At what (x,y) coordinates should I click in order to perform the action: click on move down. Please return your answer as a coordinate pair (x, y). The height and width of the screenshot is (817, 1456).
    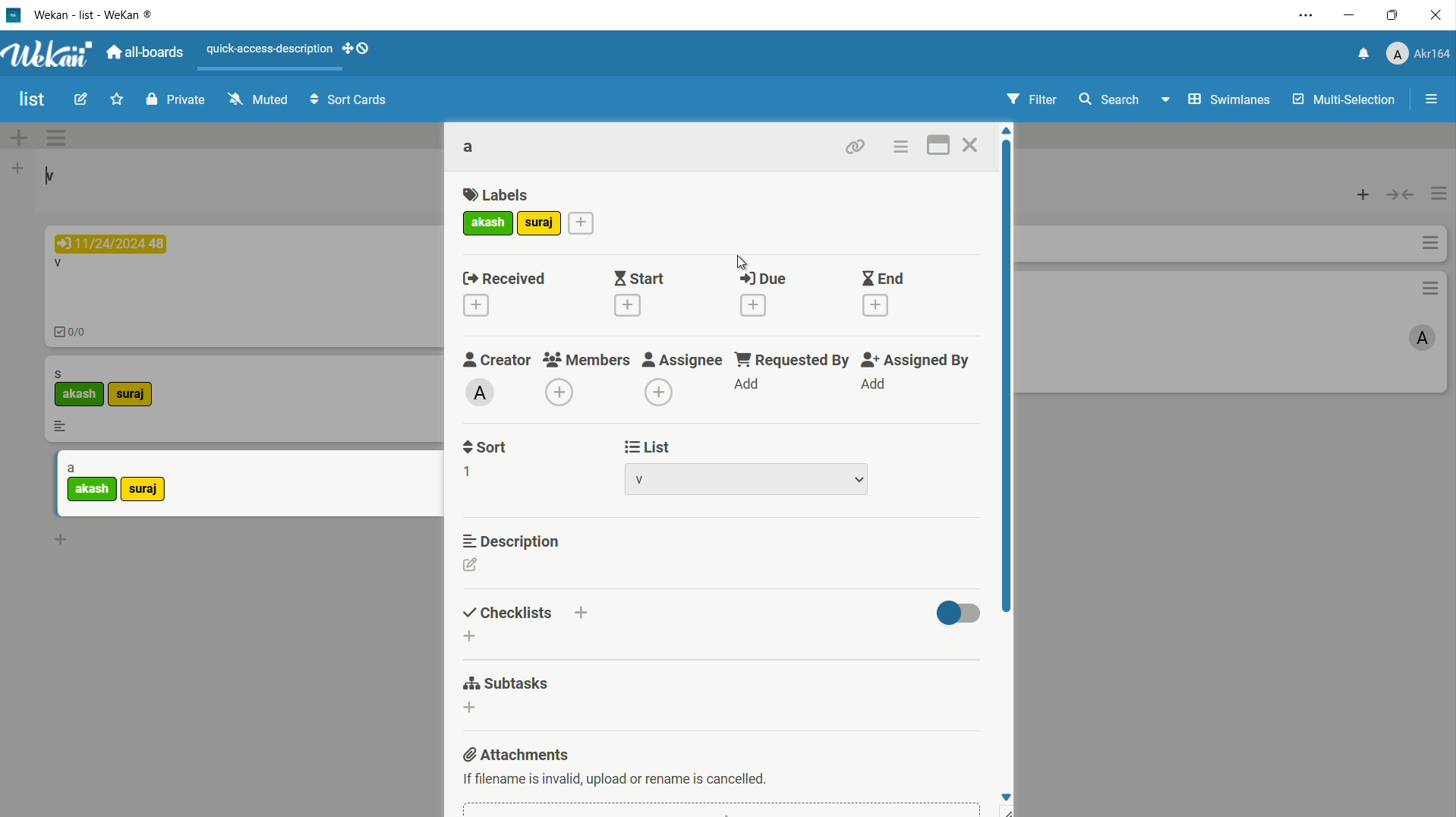
    Looking at the image, I should click on (1006, 794).